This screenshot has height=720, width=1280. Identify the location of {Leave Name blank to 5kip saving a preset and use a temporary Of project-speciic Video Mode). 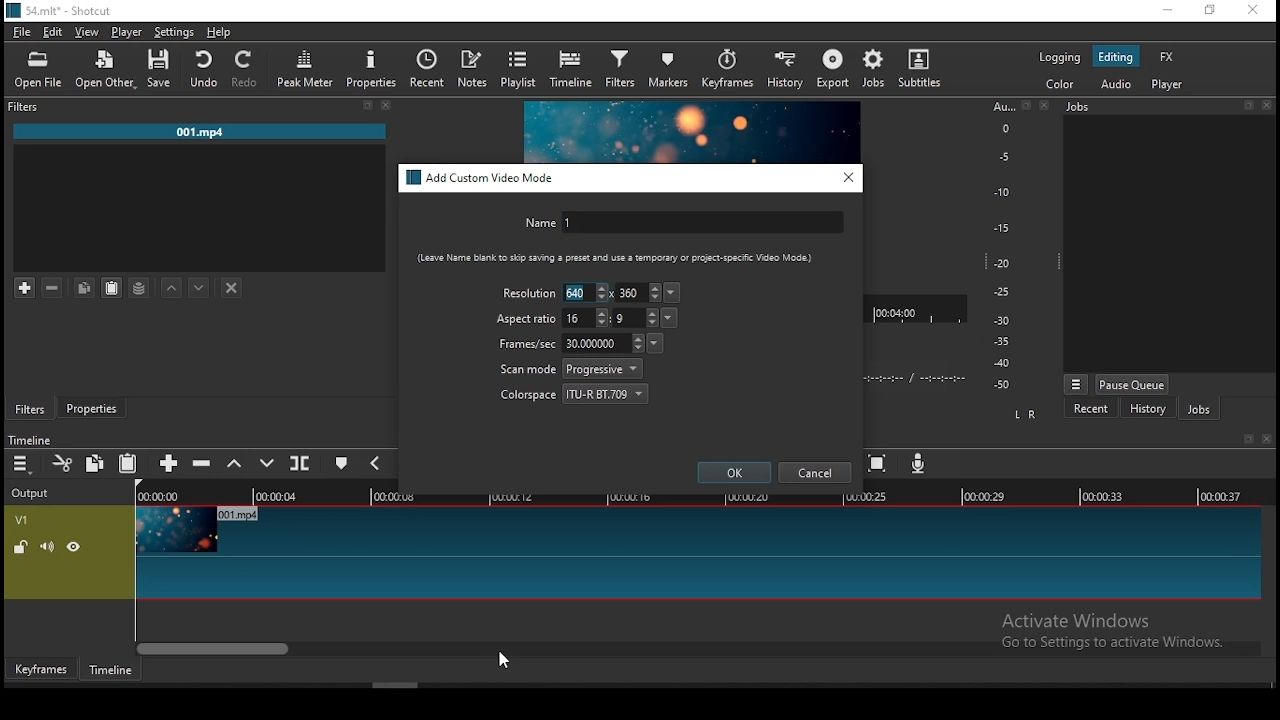
(607, 258).